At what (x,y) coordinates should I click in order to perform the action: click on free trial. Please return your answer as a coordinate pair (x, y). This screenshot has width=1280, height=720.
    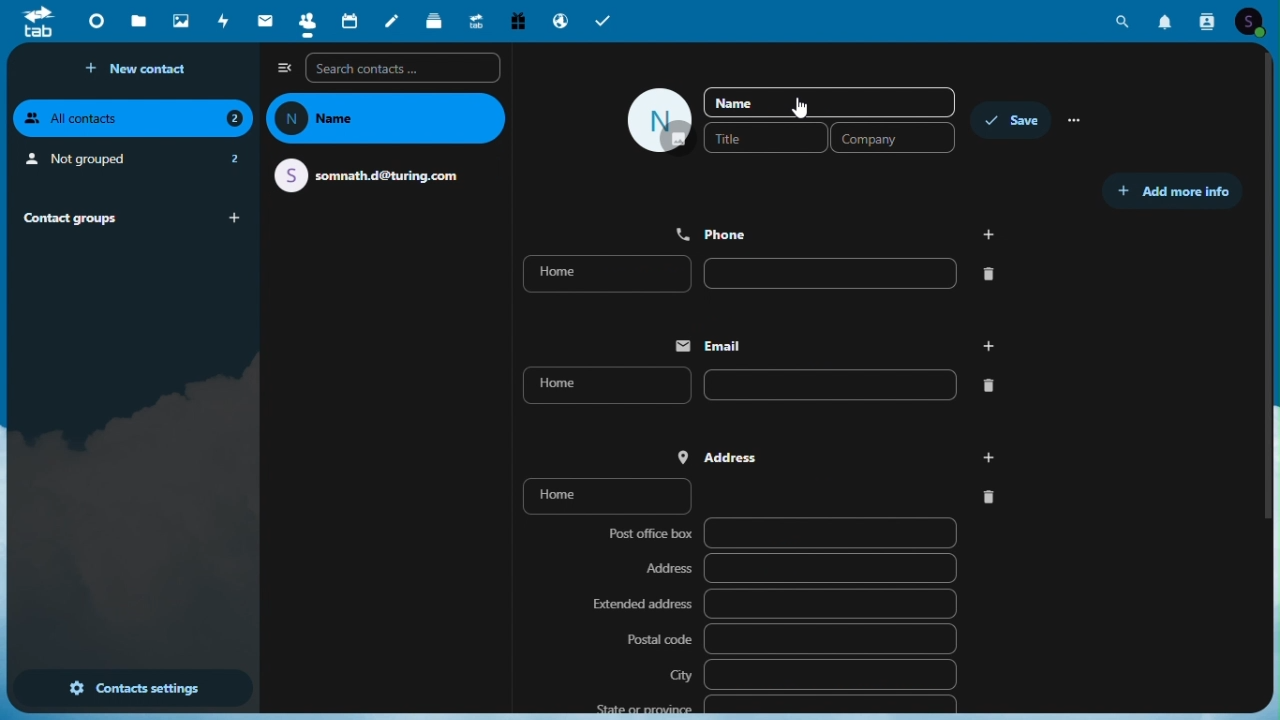
    Looking at the image, I should click on (519, 20).